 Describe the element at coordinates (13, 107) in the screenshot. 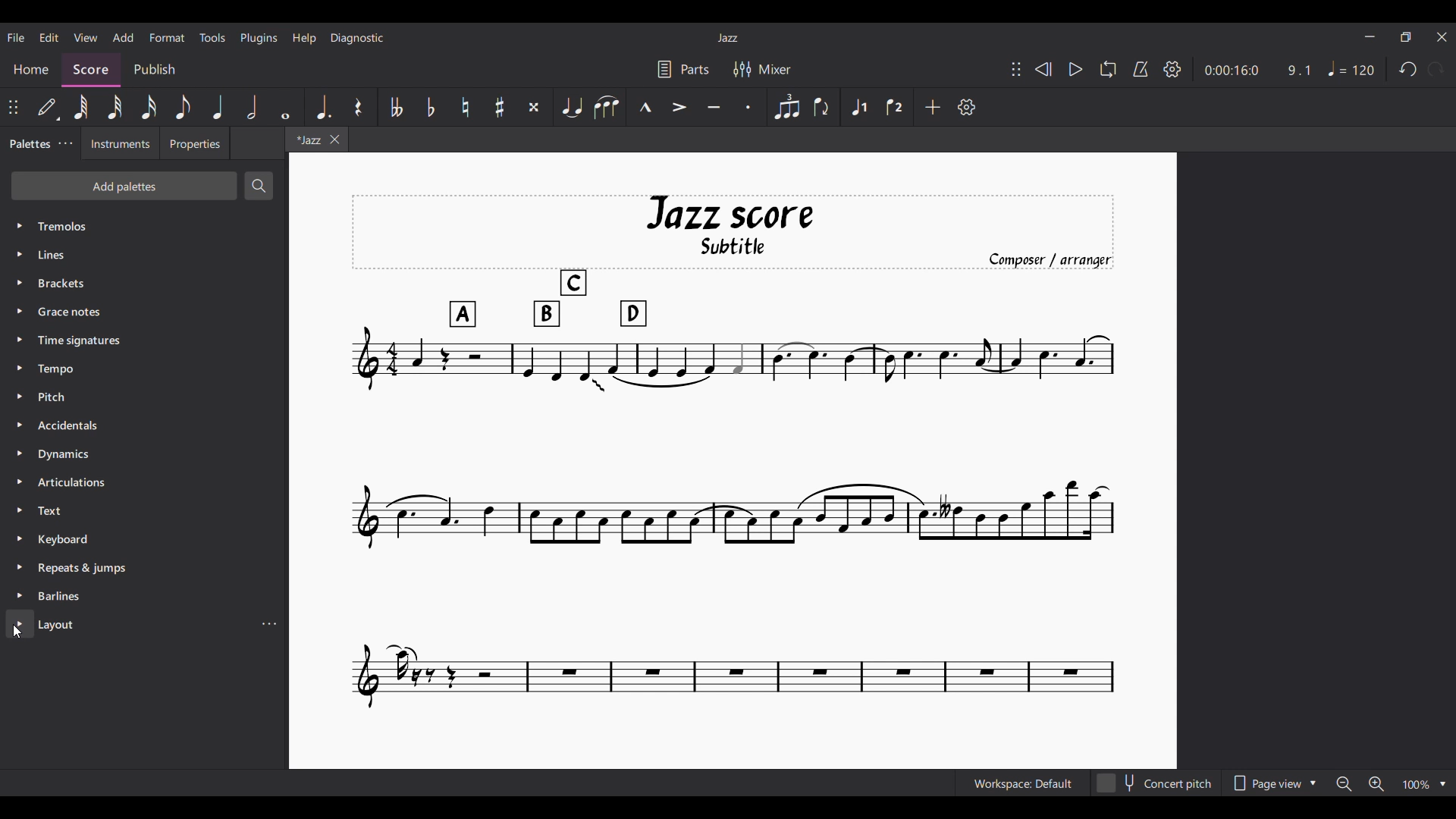

I see `Change position` at that location.